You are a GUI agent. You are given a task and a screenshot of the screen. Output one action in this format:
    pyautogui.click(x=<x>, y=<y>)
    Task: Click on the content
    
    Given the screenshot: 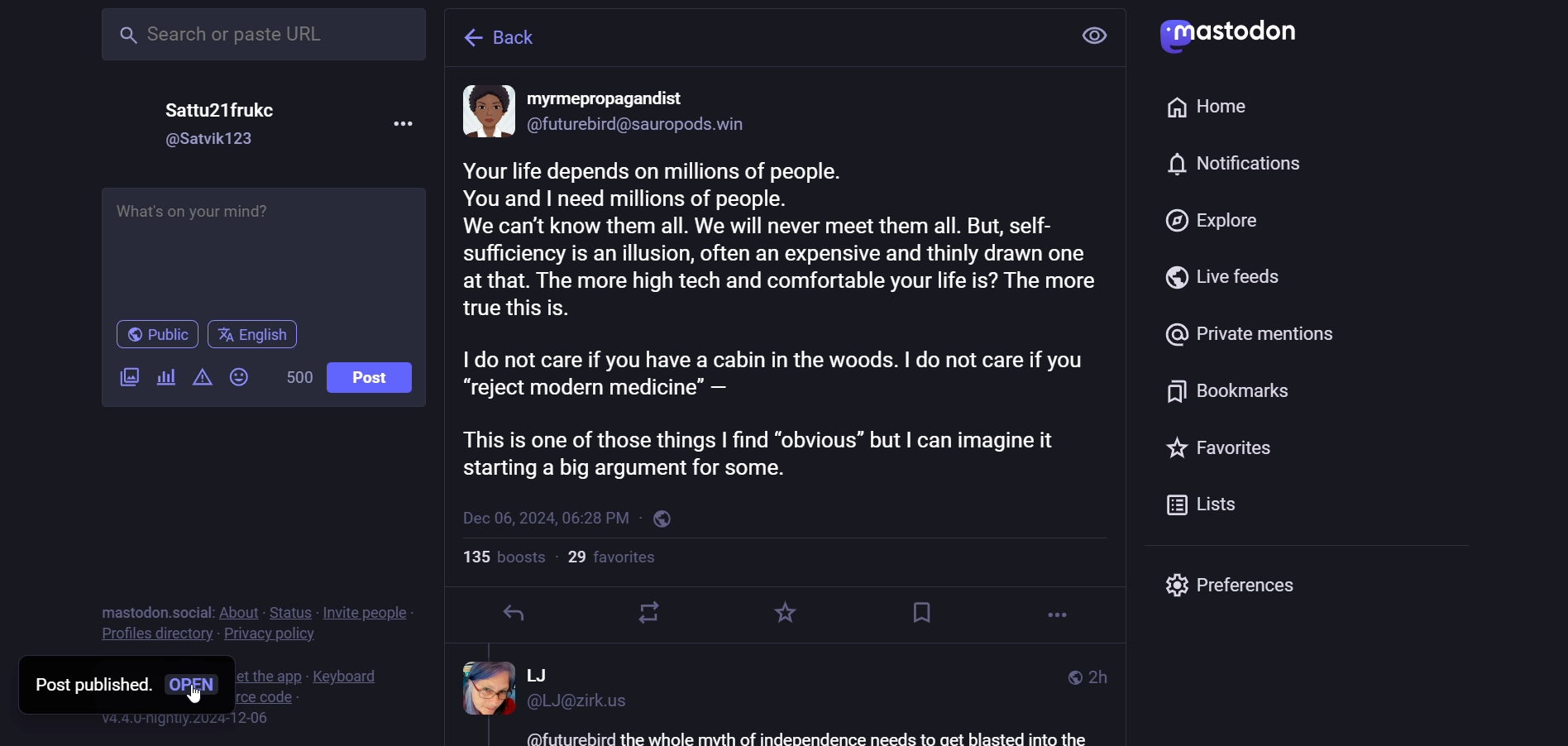 What is the action you would take?
    pyautogui.click(x=782, y=320)
    